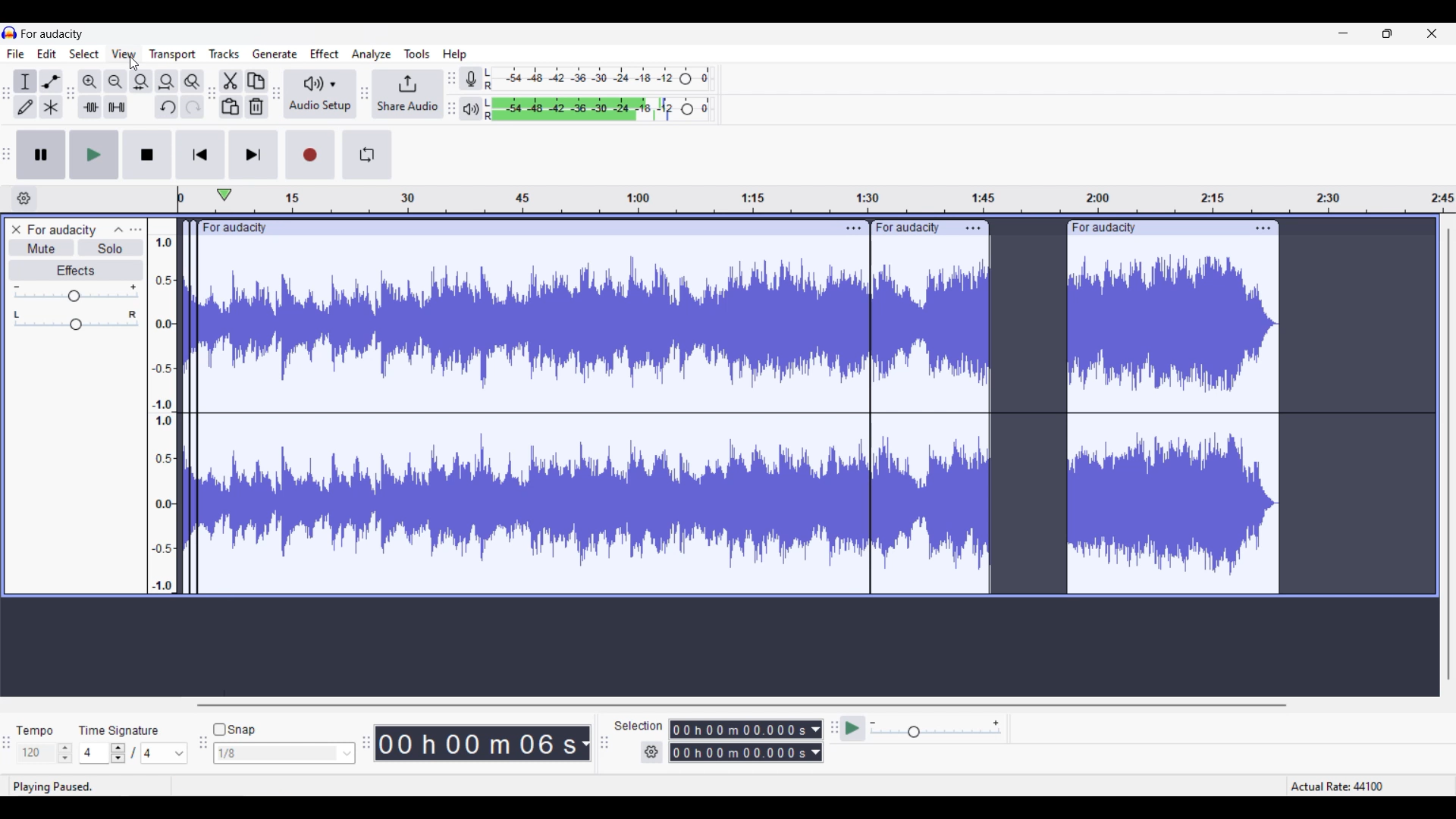 This screenshot has width=1456, height=819. I want to click on Software logo, so click(10, 33).